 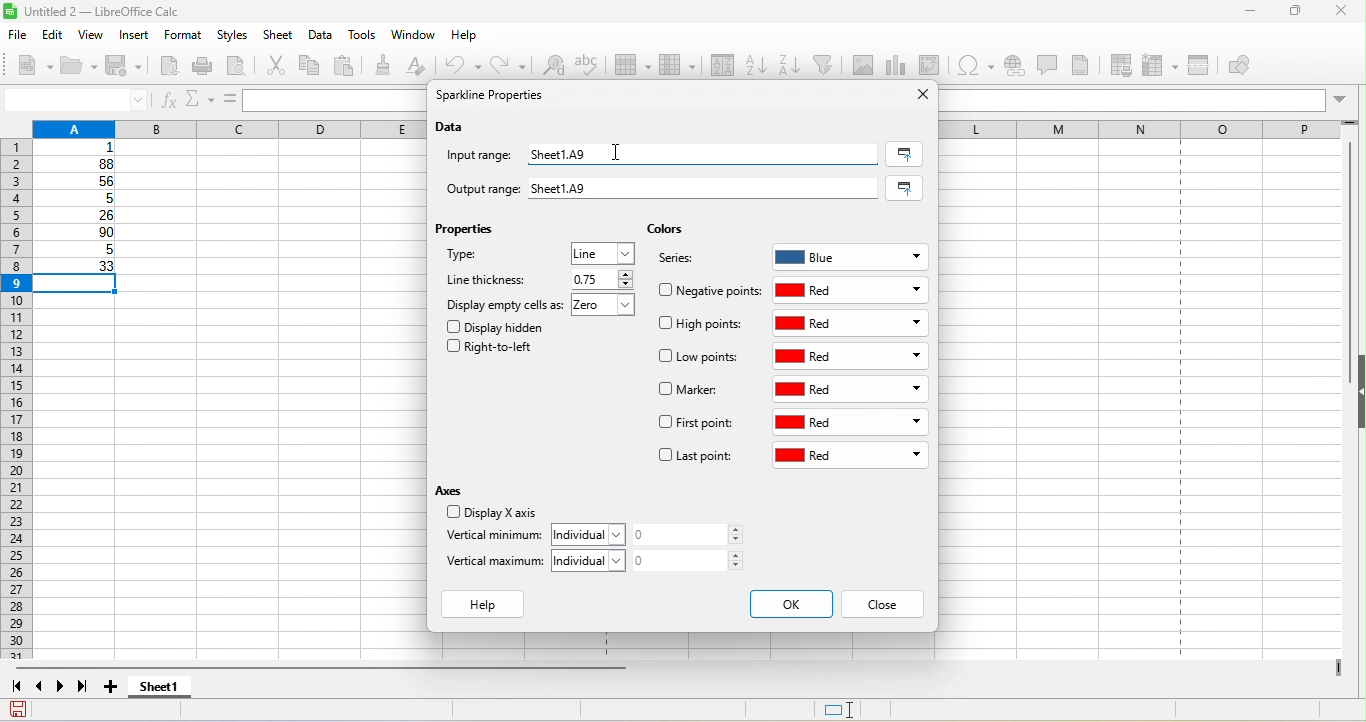 What do you see at coordinates (554, 68) in the screenshot?
I see `find and replace` at bounding box center [554, 68].